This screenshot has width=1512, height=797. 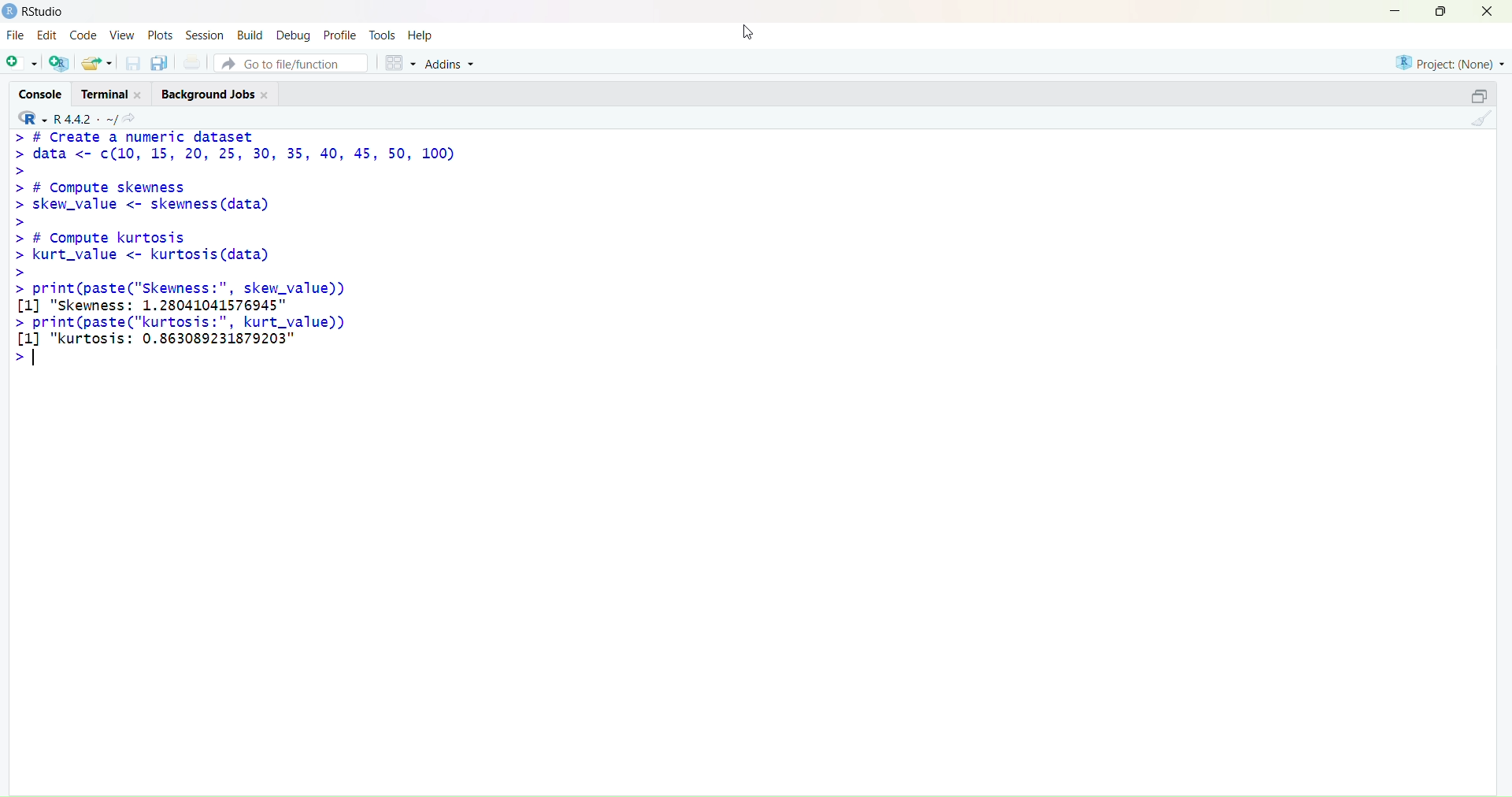 What do you see at coordinates (116, 93) in the screenshot?
I see `Terminal` at bounding box center [116, 93].